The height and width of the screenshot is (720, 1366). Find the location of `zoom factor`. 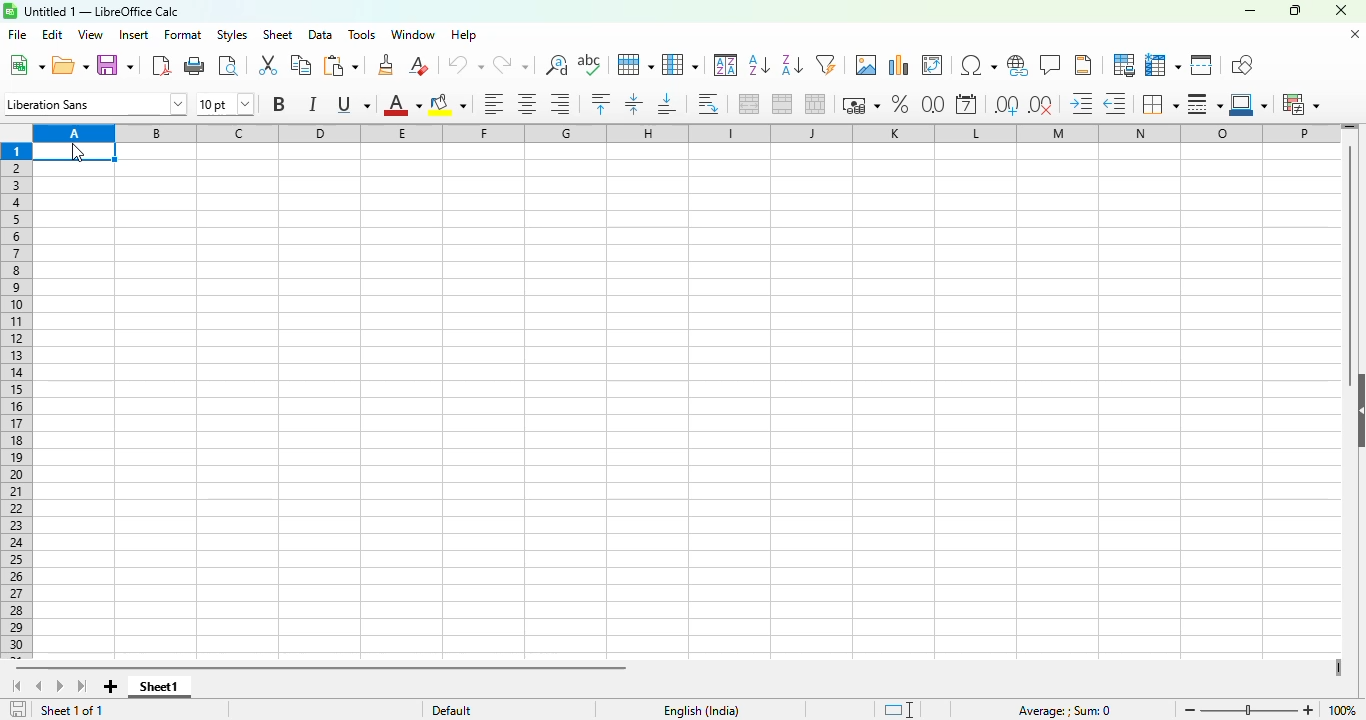

zoom factor is located at coordinates (1343, 710).